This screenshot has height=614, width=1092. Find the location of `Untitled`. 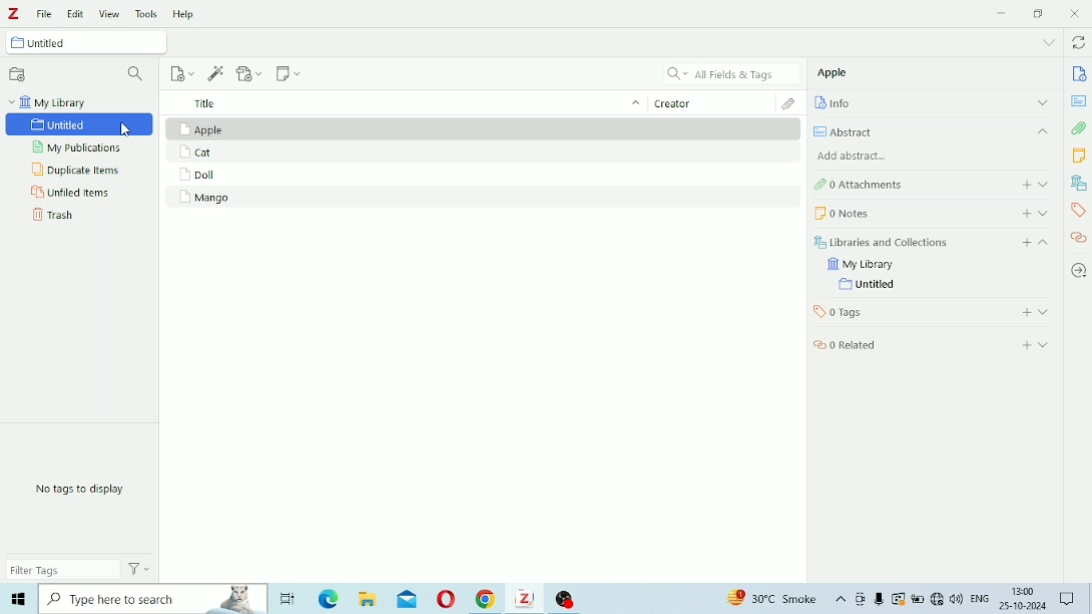

Untitled is located at coordinates (870, 285).